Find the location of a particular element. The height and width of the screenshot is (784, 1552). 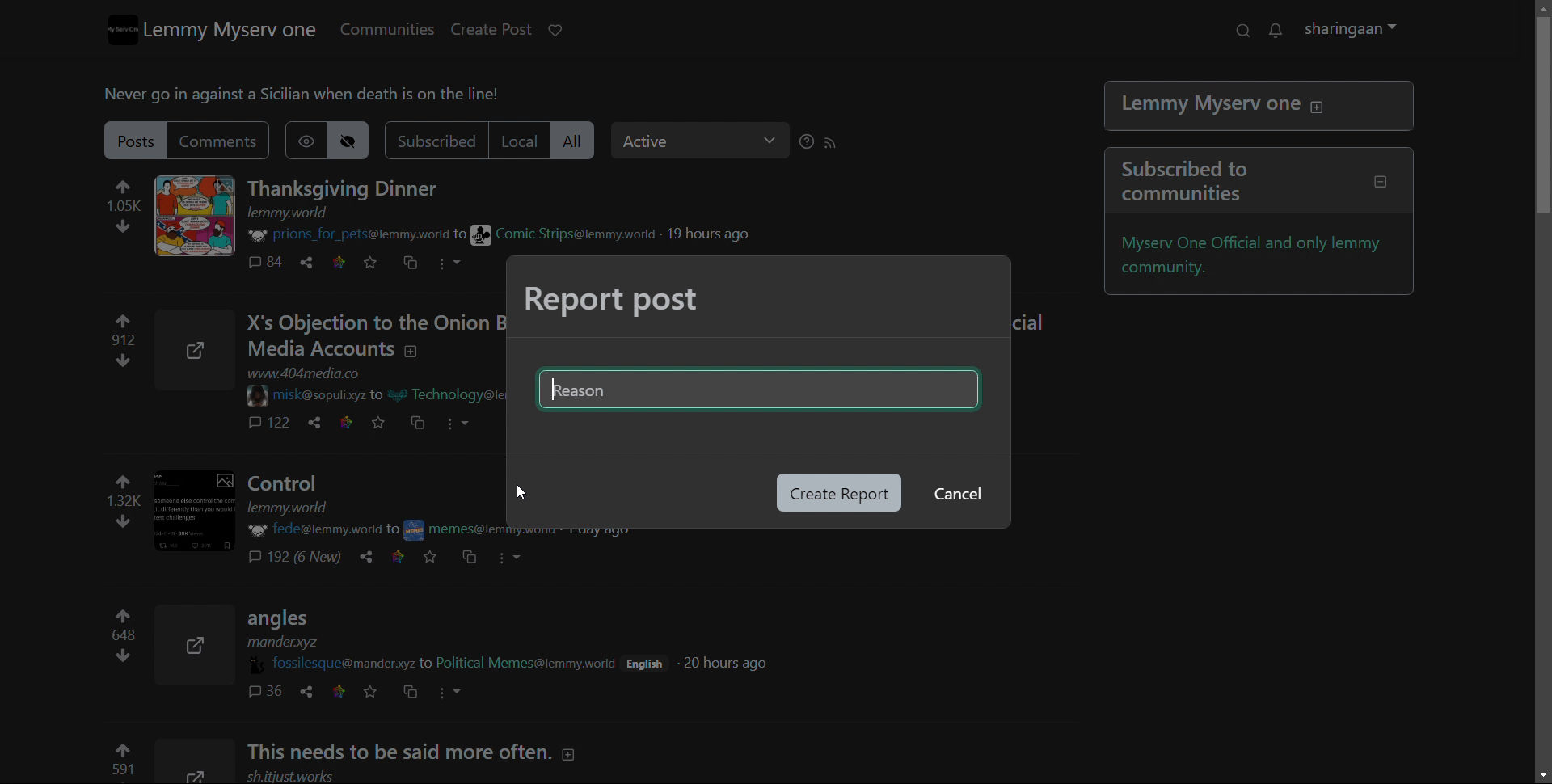

link is located at coordinates (348, 262).